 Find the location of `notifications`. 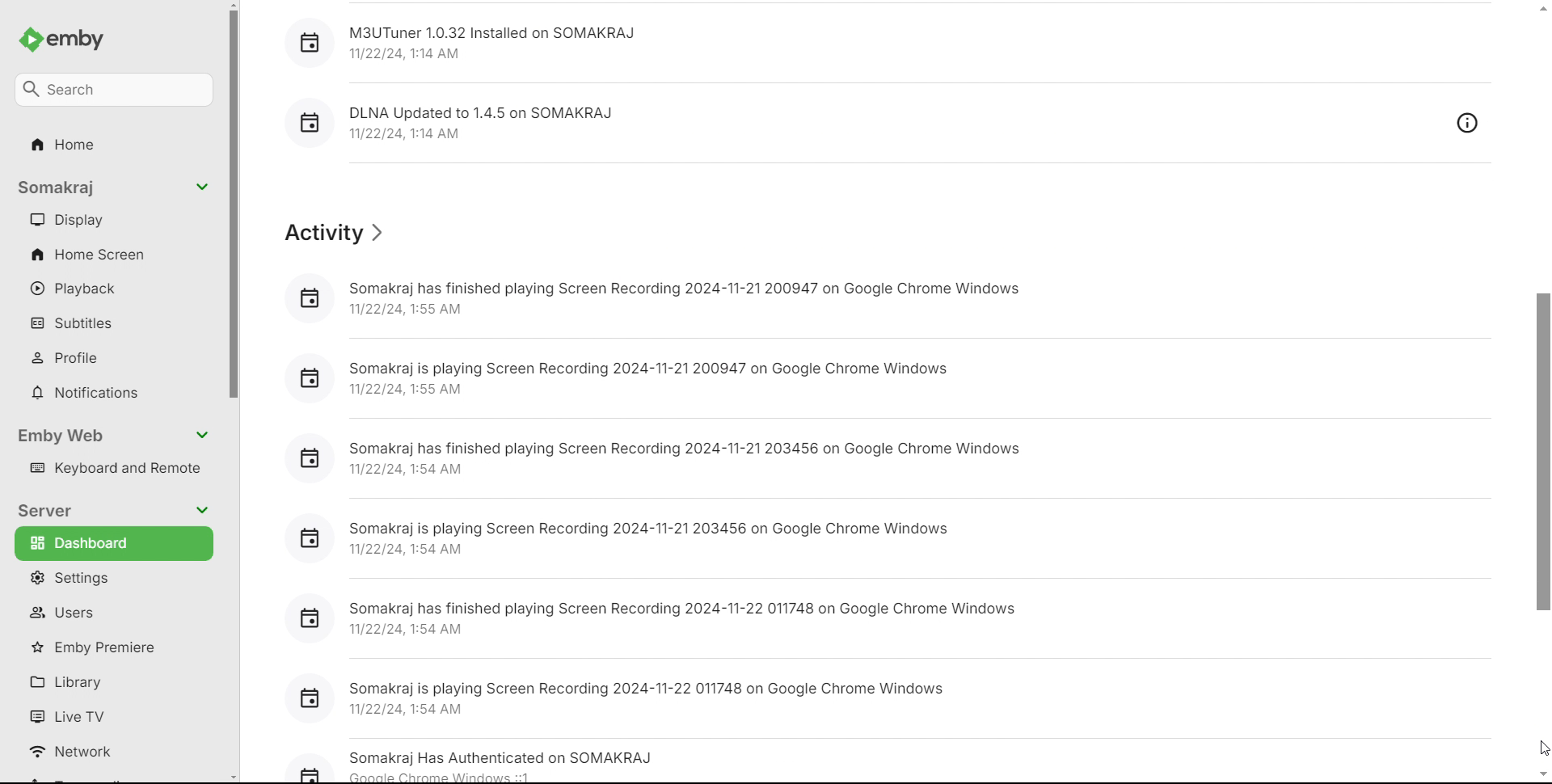

notifications is located at coordinates (113, 391).